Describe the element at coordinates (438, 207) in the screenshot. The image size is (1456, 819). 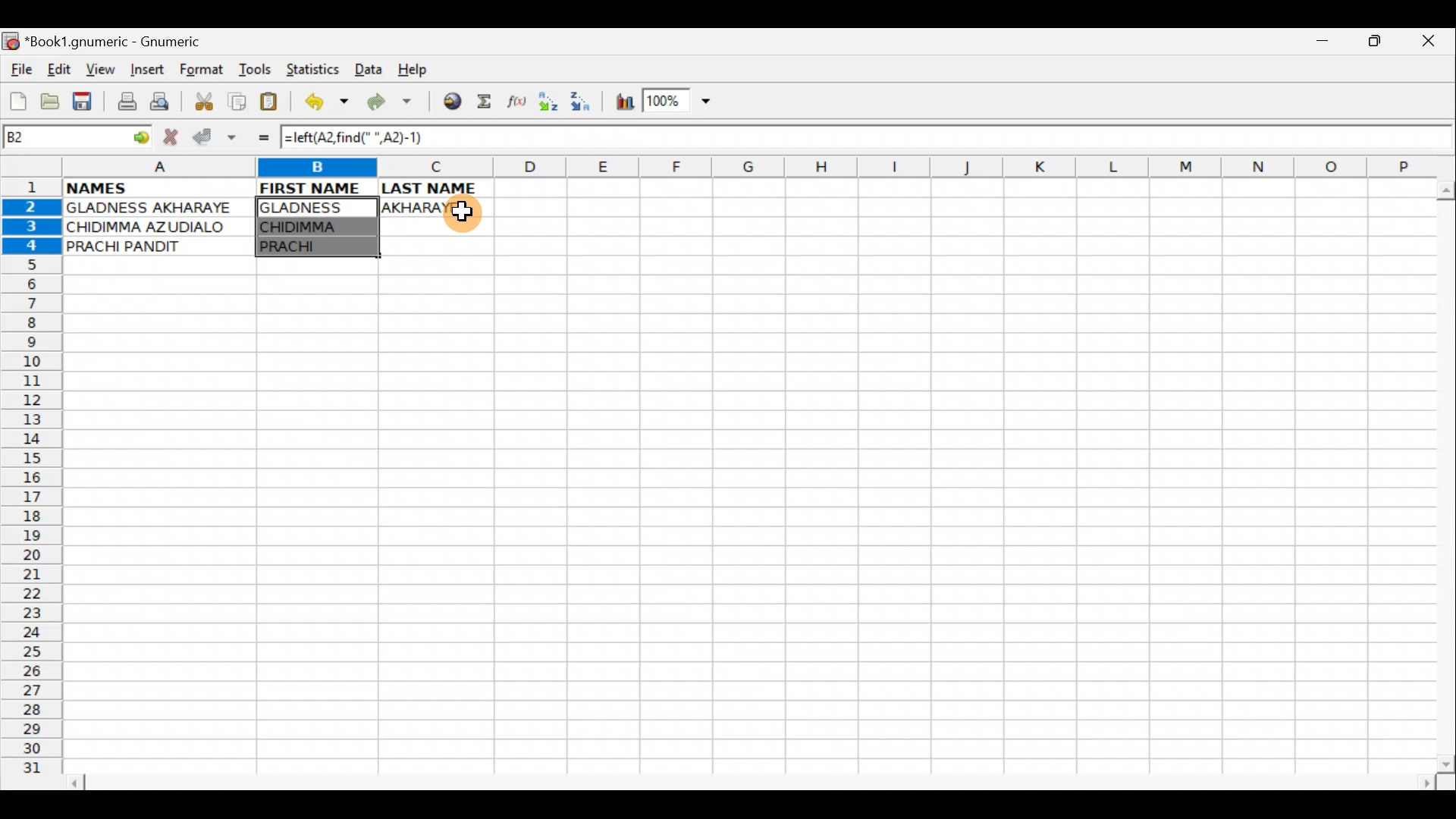
I see `AKHARAYE` at that location.